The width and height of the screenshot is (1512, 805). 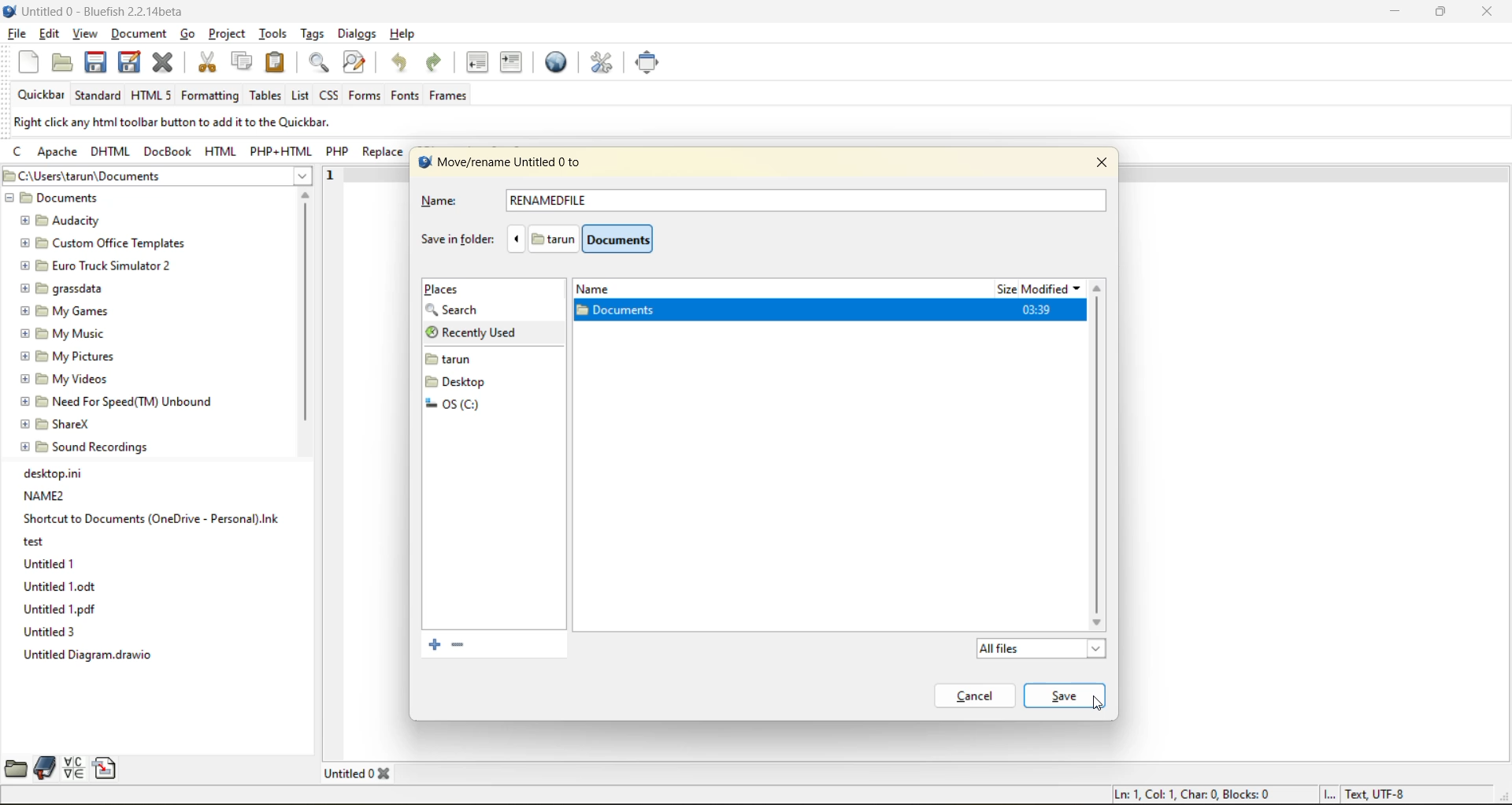 I want to click on Need For Speed(TM) Unbound, so click(x=118, y=402).